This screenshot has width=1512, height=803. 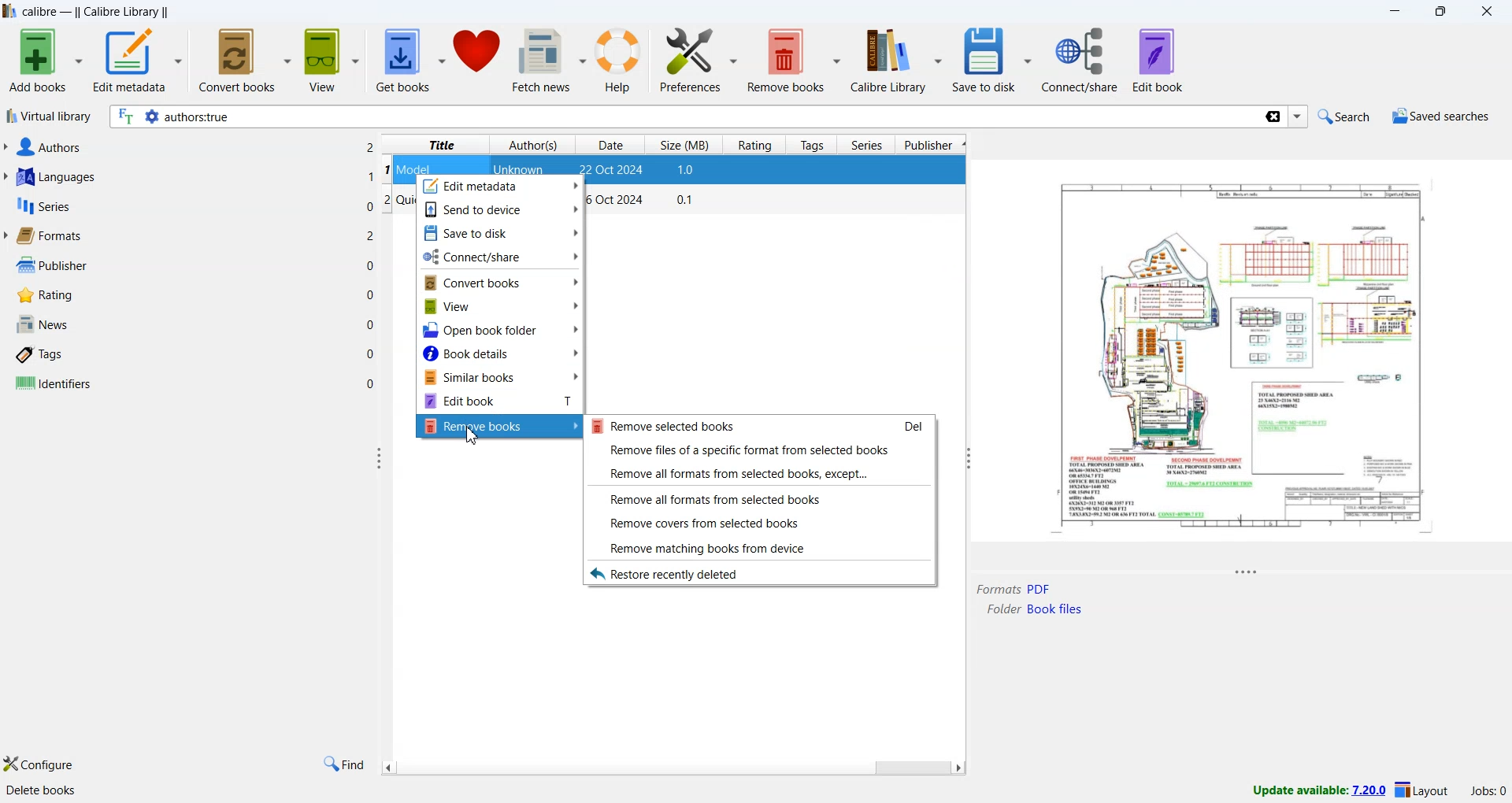 I want to click on formats, so click(x=48, y=236).